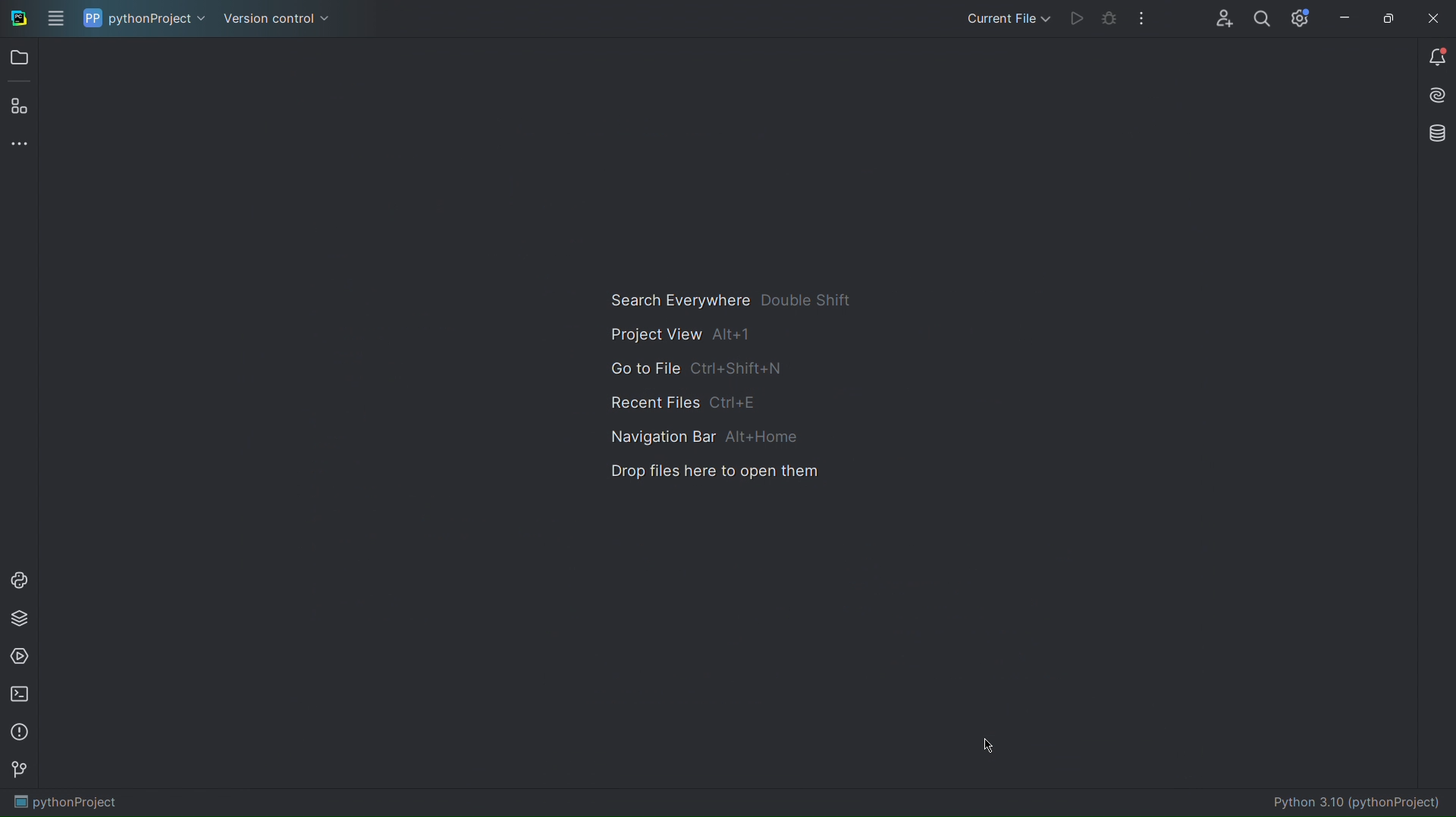 Image resolution: width=1456 pixels, height=817 pixels. What do you see at coordinates (1342, 17) in the screenshot?
I see `Minimize` at bounding box center [1342, 17].